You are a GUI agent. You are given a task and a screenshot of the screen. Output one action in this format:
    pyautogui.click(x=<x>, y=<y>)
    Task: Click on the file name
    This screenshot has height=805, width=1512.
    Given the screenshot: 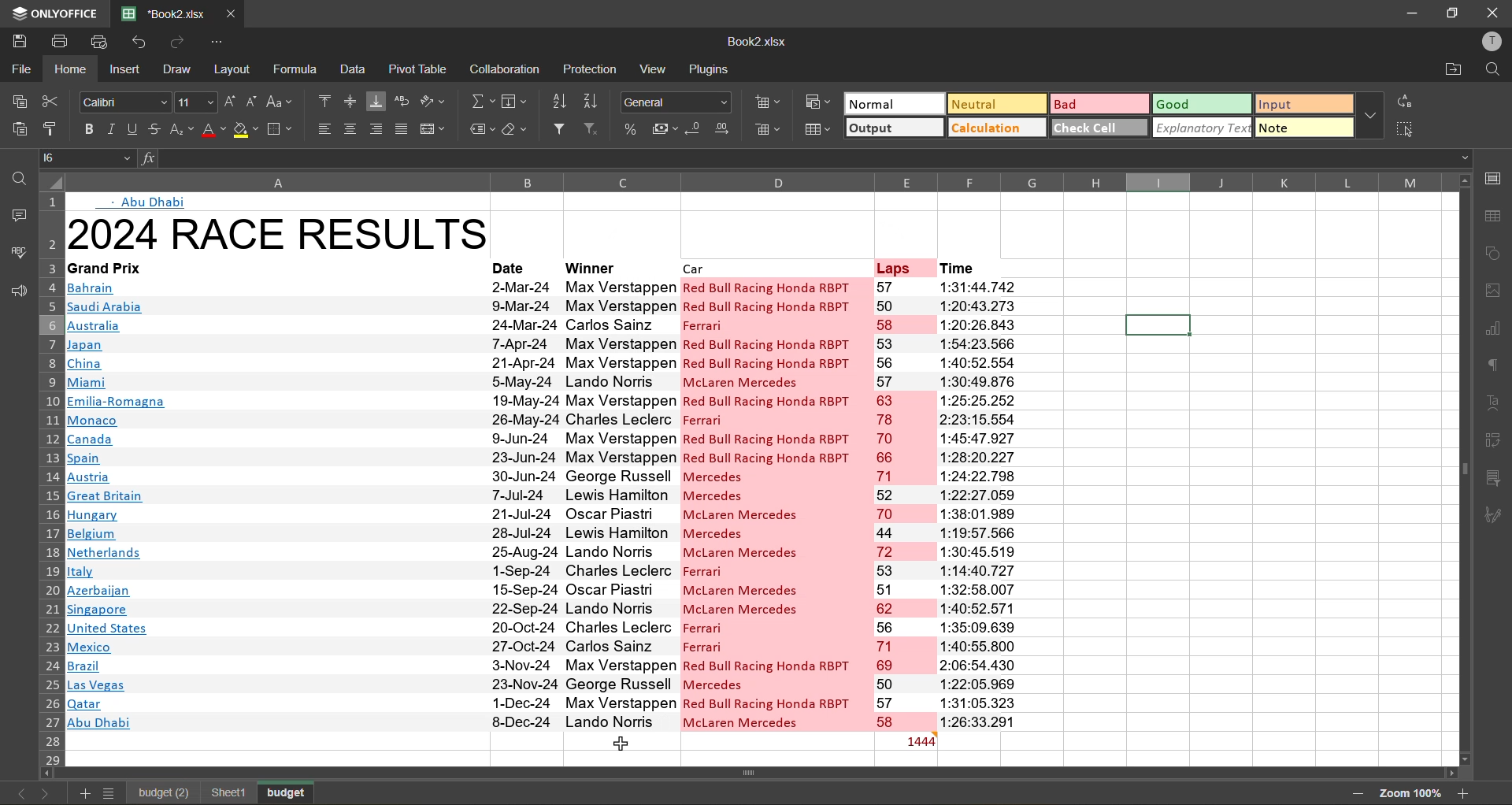 What is the action you would take?
    pyautogui.click(x=756, y=45)
    